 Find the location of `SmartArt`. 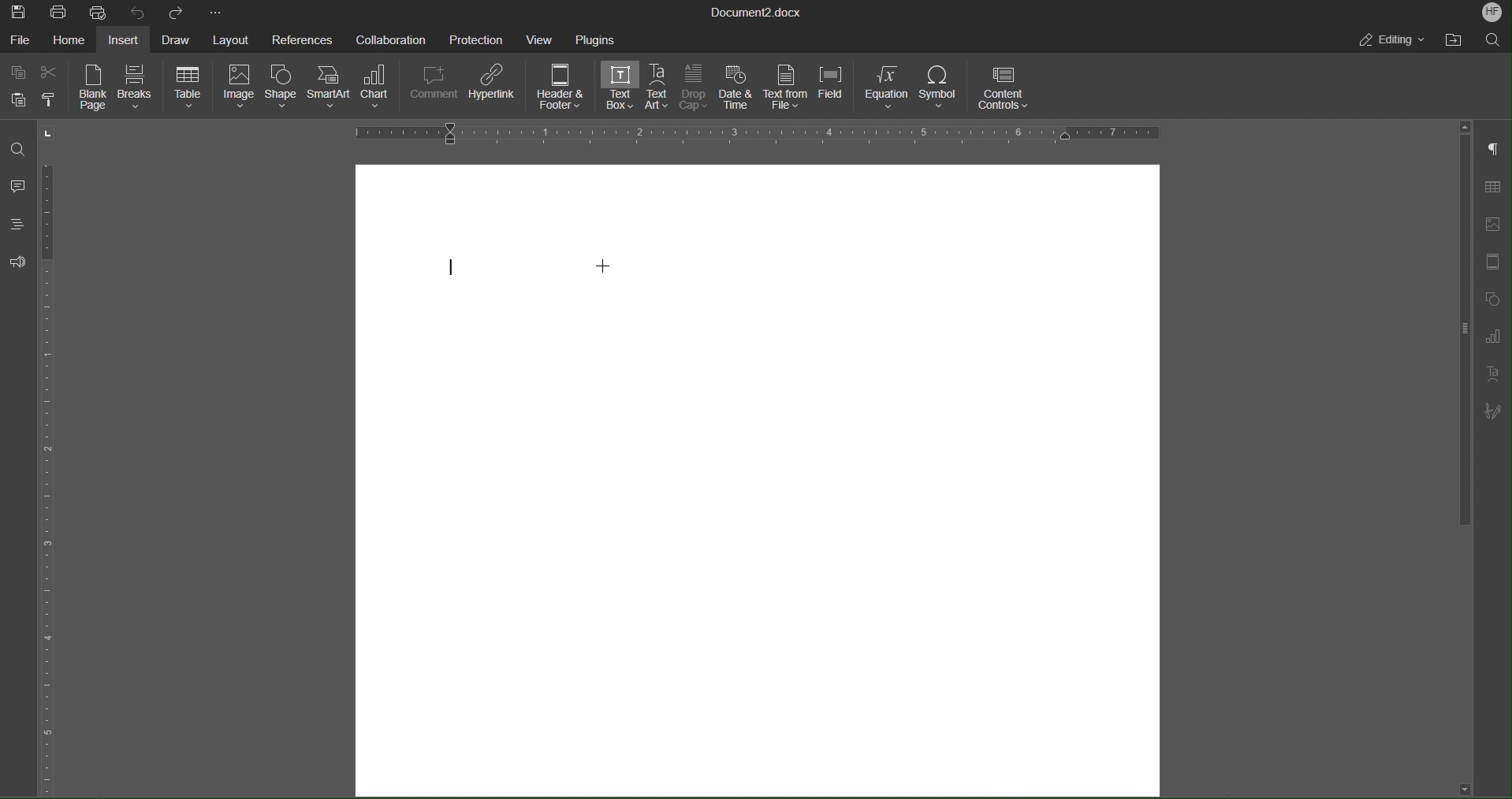

SmartArt is located at coordinates (331, 91).